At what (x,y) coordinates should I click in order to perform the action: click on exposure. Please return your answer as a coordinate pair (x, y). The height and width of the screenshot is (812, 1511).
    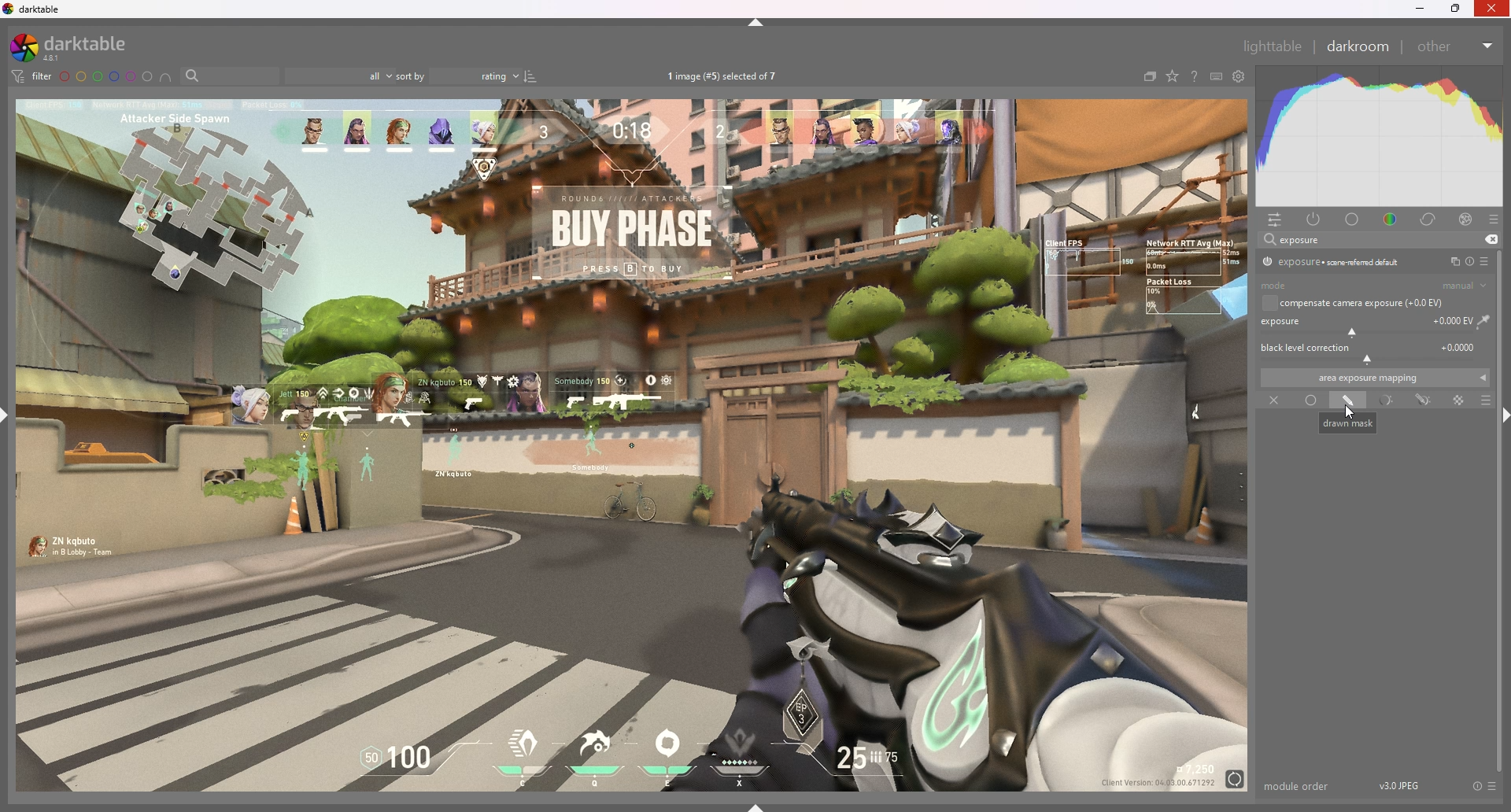
    Looking at the image, I should click on (1376, 324).